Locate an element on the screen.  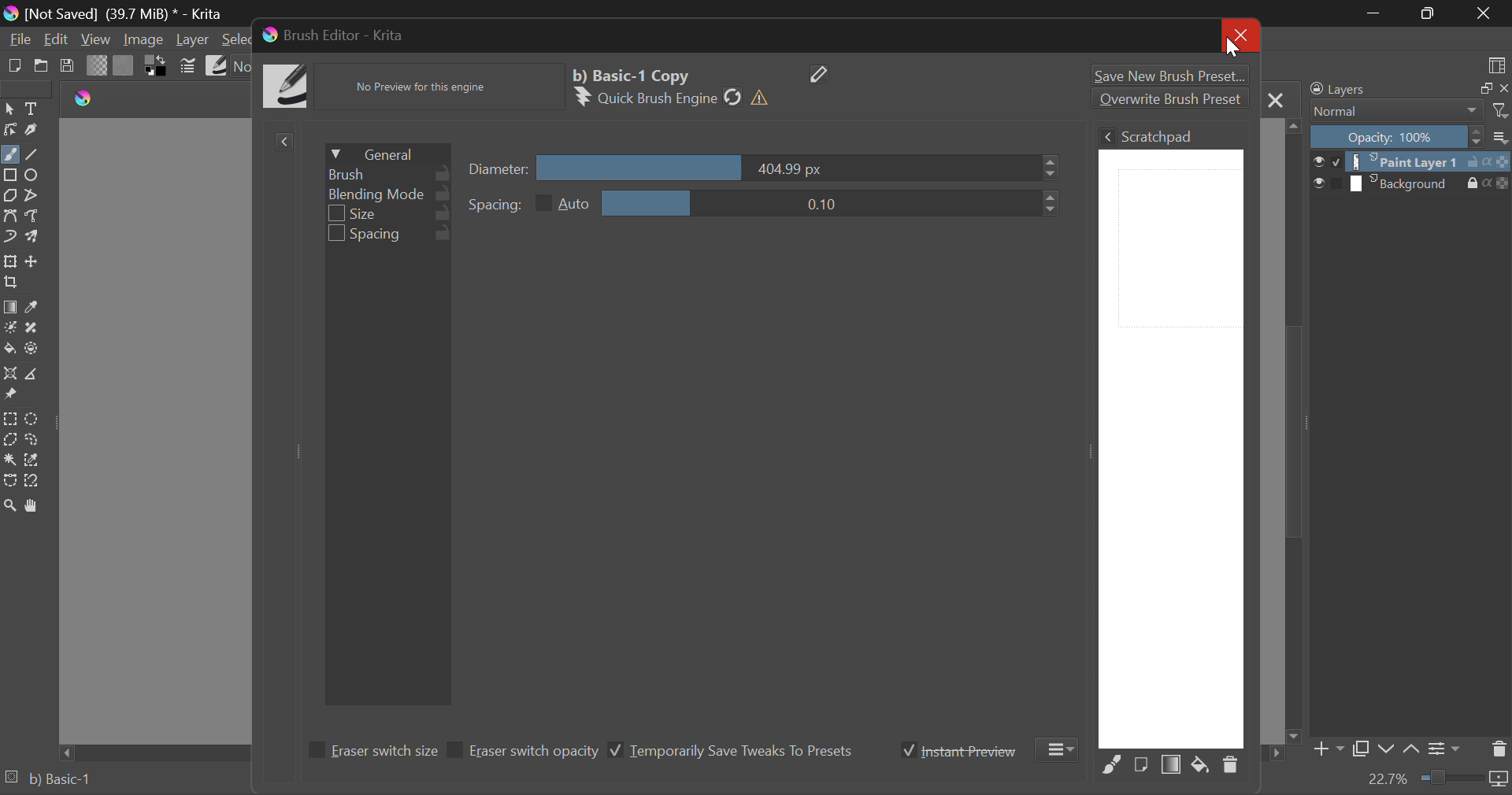
Delete is located at coordinates (1230, 768).